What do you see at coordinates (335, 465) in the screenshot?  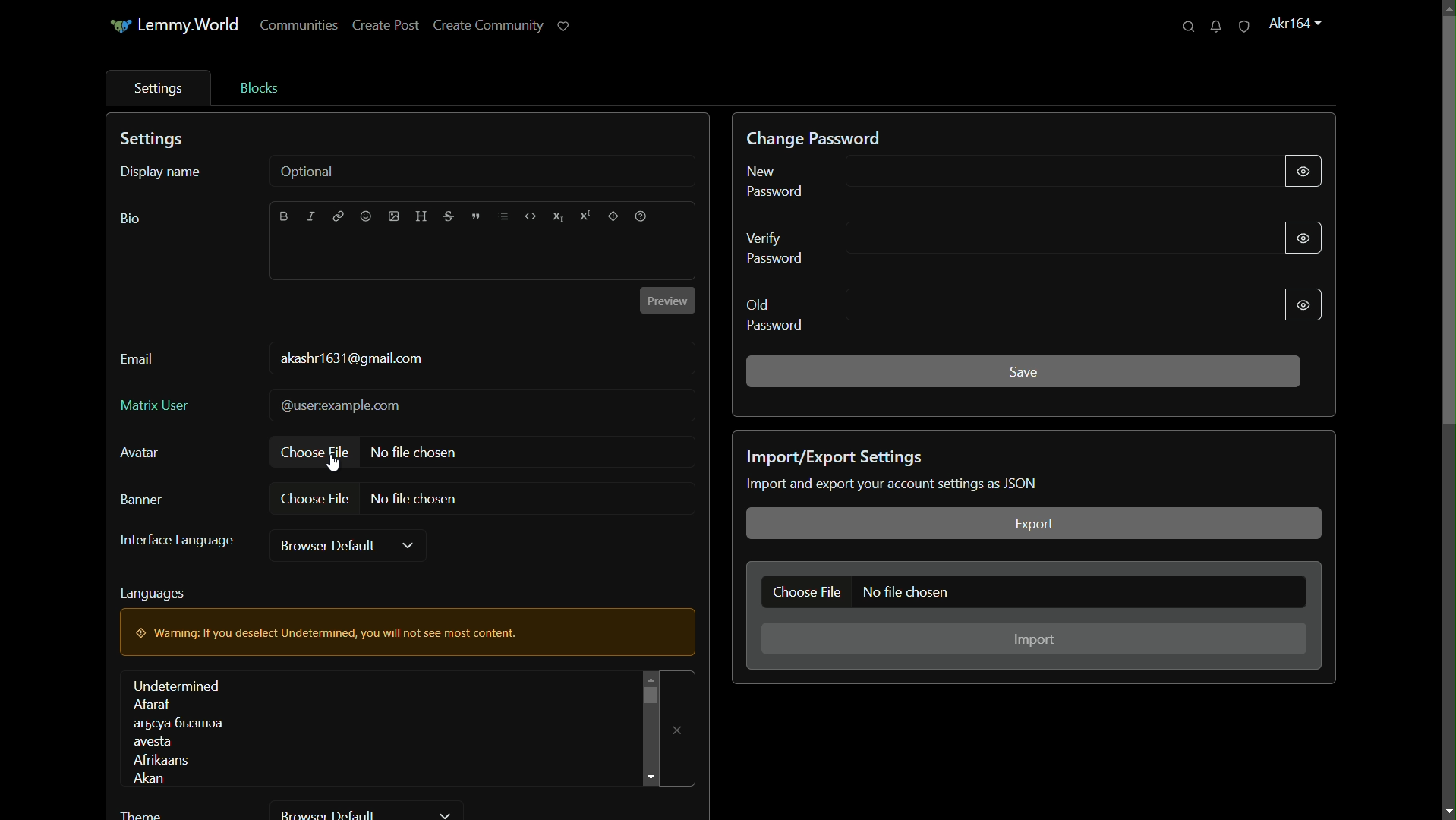 I see `cursor` at bounding box center [335, 465].